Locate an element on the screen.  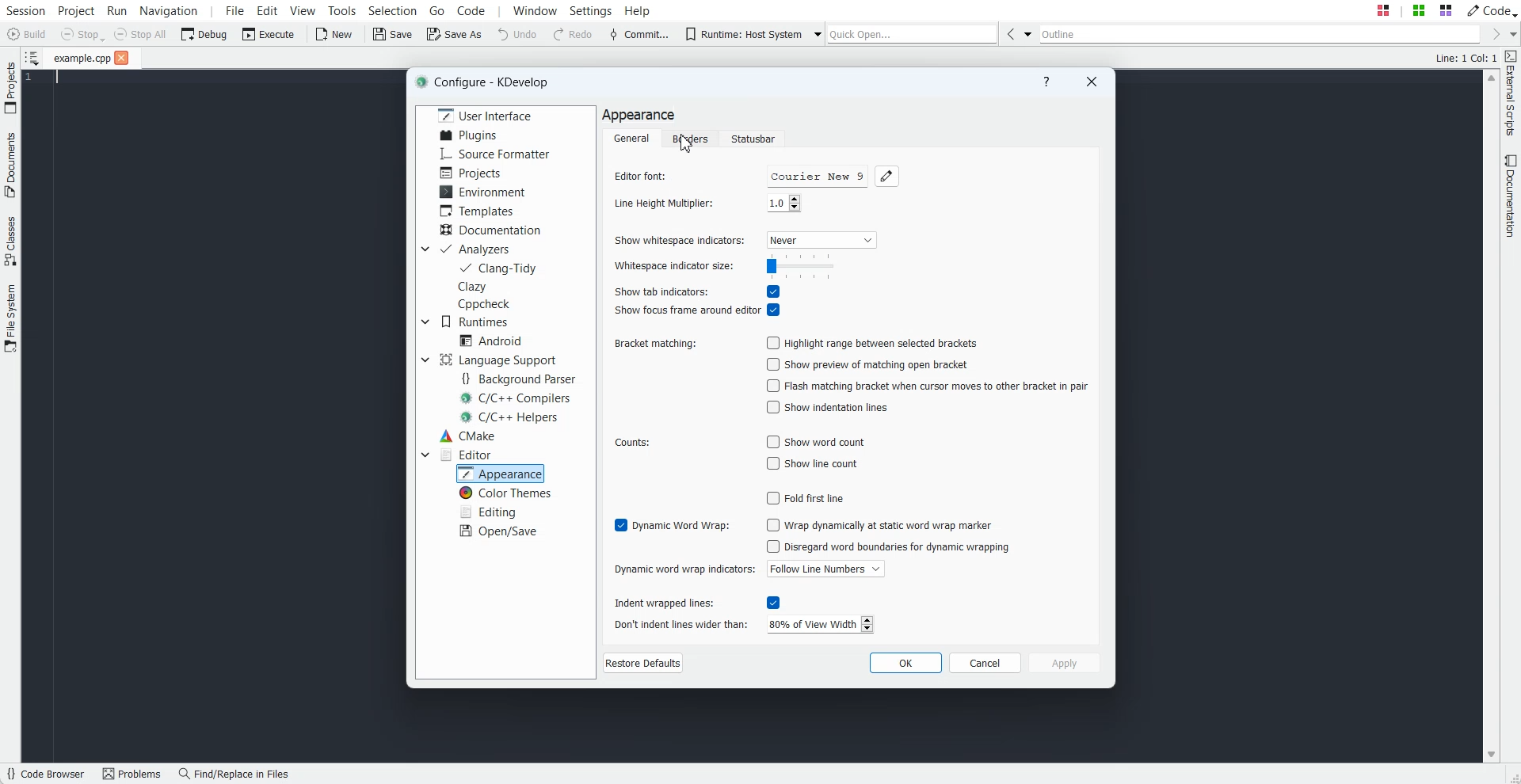
Problems is located at coordinates (135, 774).